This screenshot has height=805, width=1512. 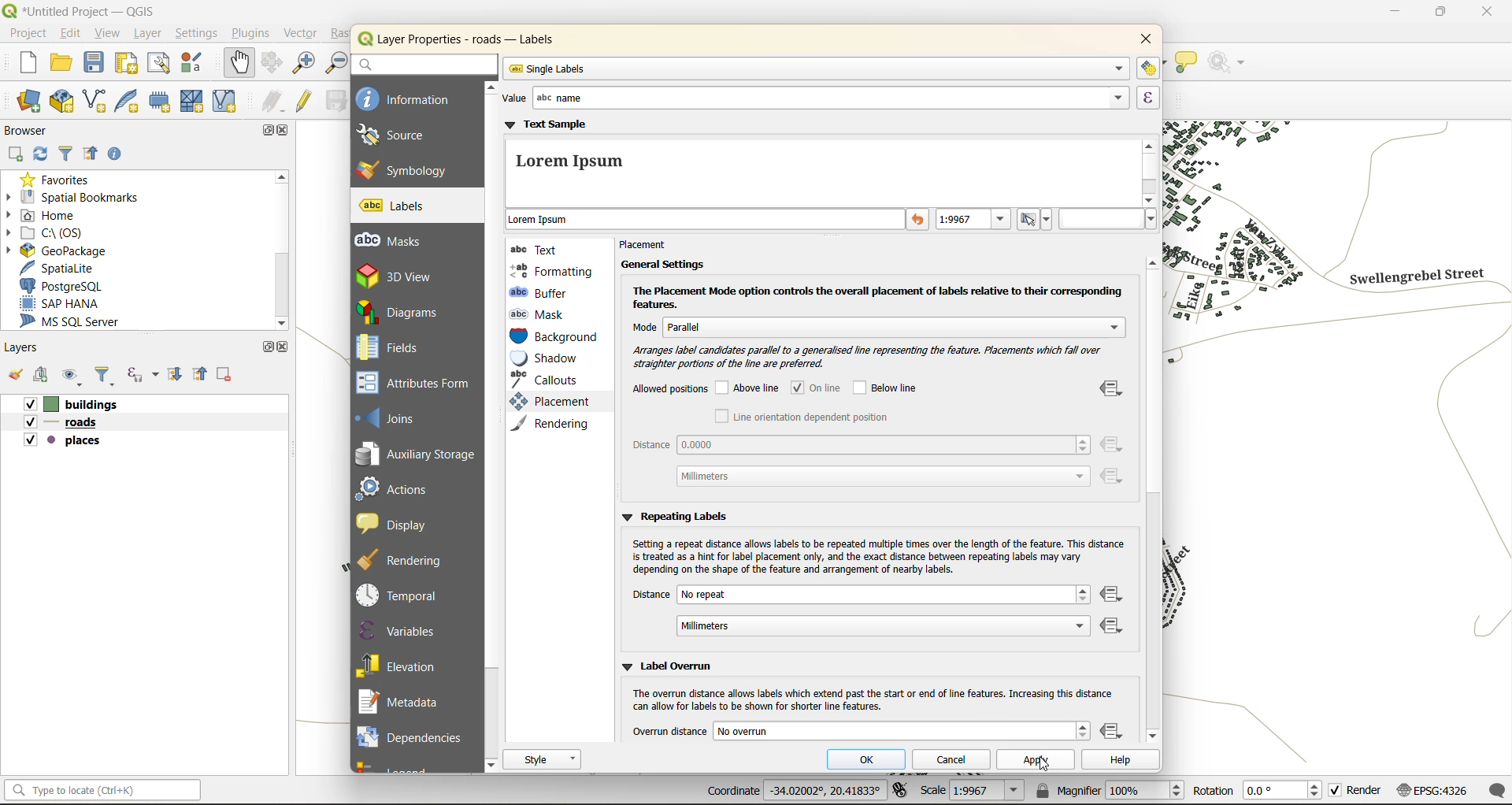 I want to click on cancel, so click(x=955, y=759).